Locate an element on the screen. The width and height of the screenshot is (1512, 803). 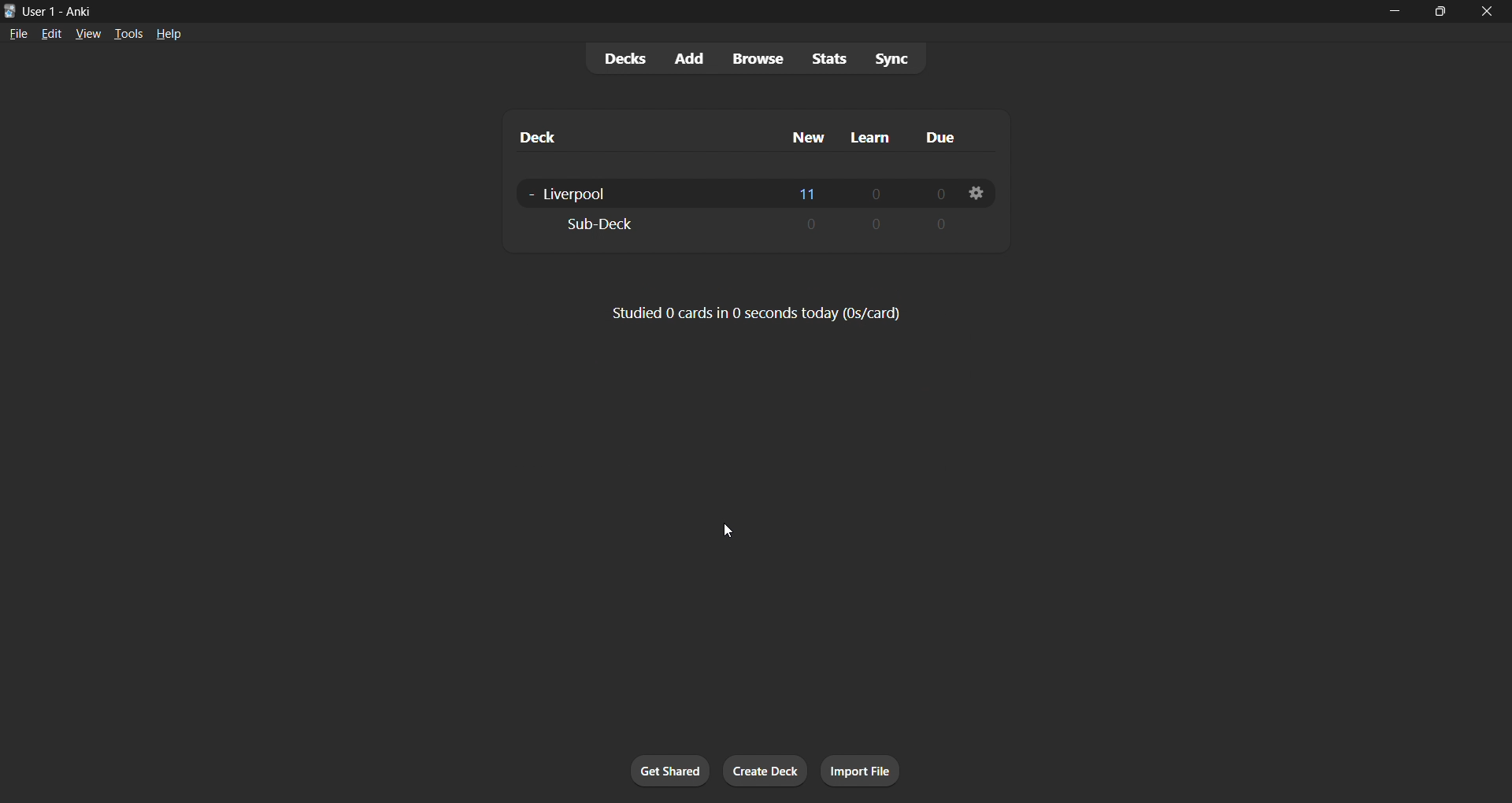
edit is located at coordinates (52, 32).